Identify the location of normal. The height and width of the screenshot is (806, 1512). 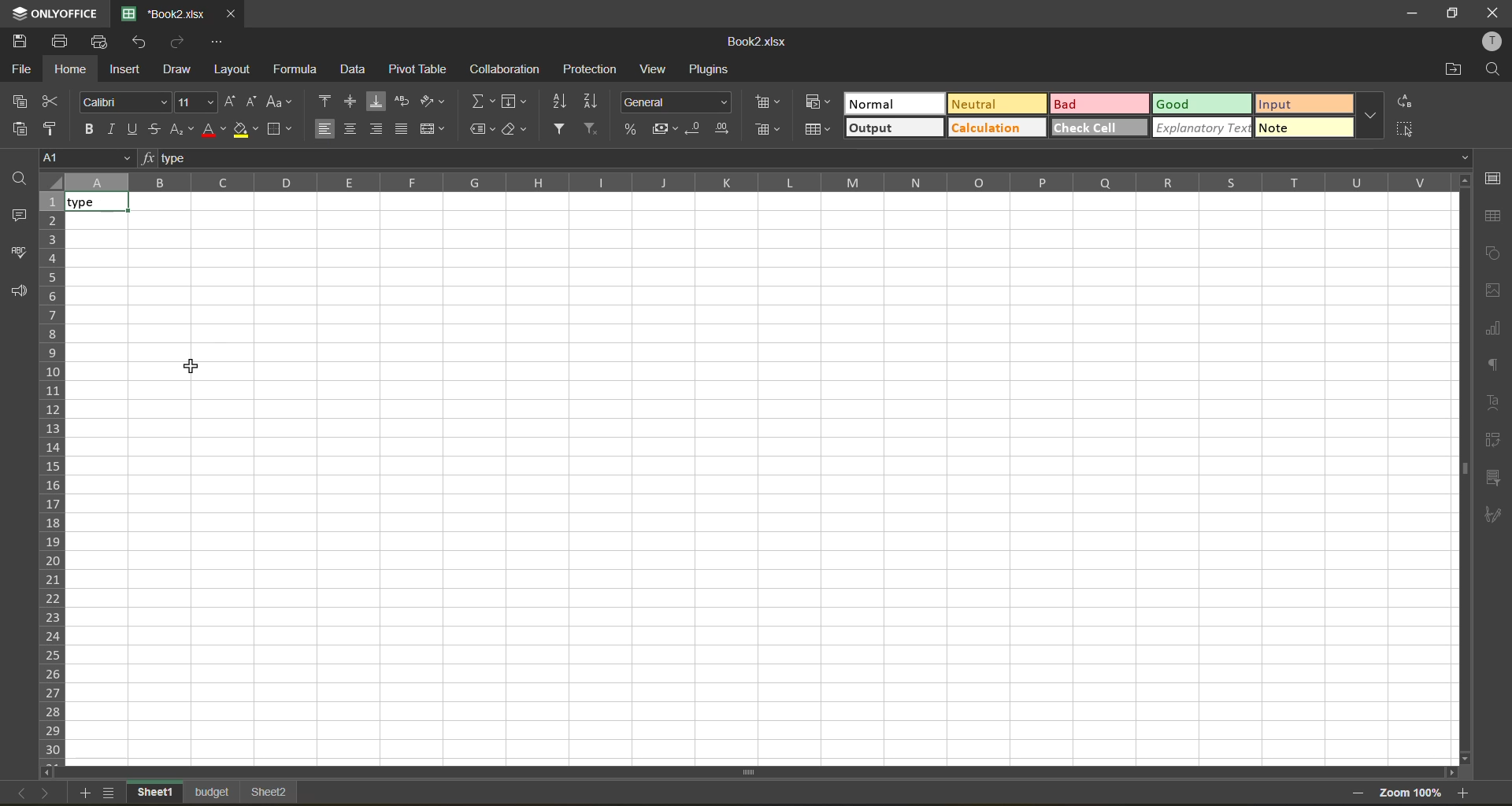
(894, 105).